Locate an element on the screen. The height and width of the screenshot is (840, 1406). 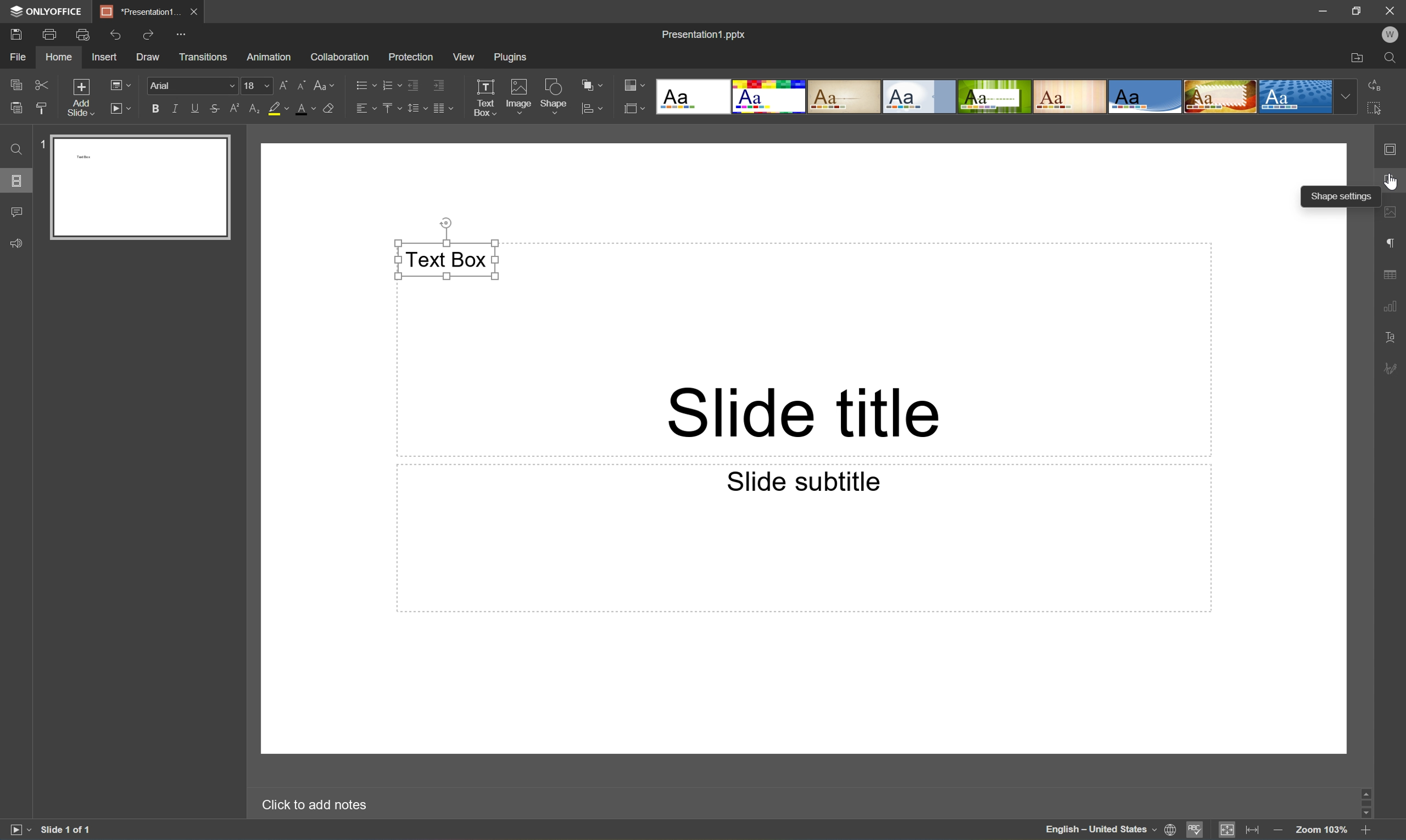
Subscript is located at coordinates (254, 108).